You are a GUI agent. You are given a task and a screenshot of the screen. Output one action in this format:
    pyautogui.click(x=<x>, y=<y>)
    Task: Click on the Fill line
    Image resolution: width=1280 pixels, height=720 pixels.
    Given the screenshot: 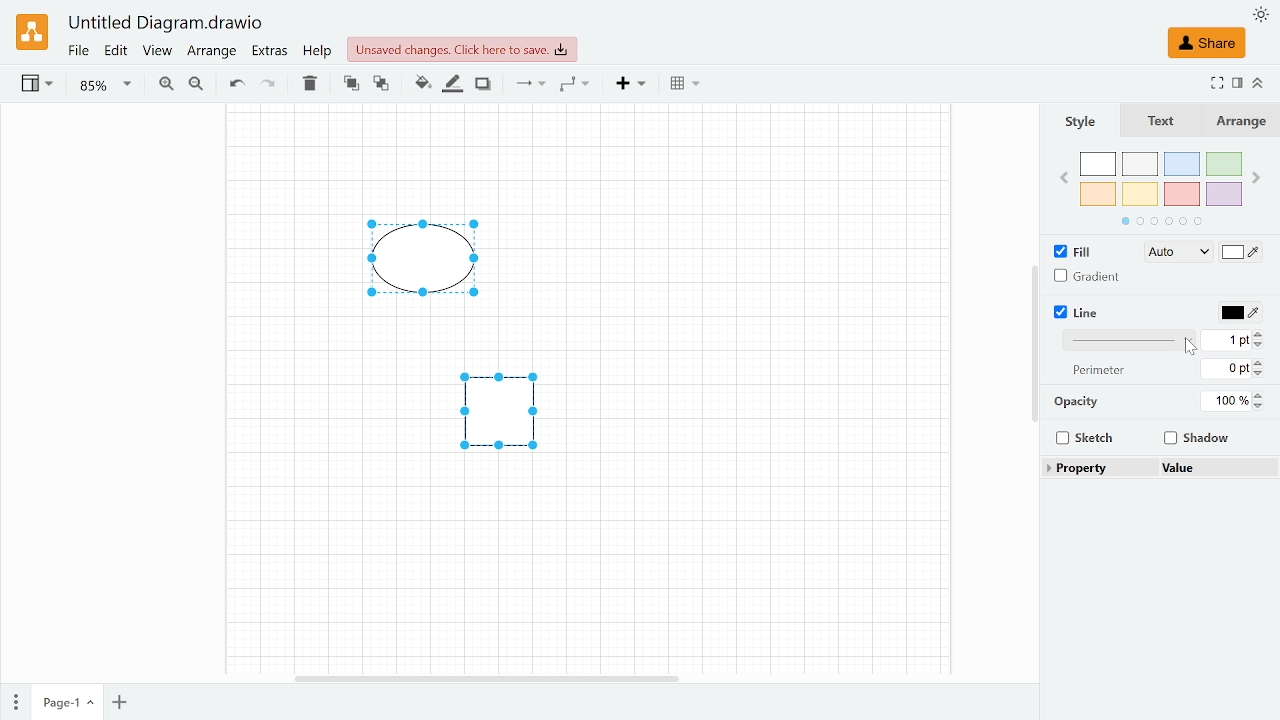 What is the action you would take?
    pyautogui.click(x=450, y=85)
    